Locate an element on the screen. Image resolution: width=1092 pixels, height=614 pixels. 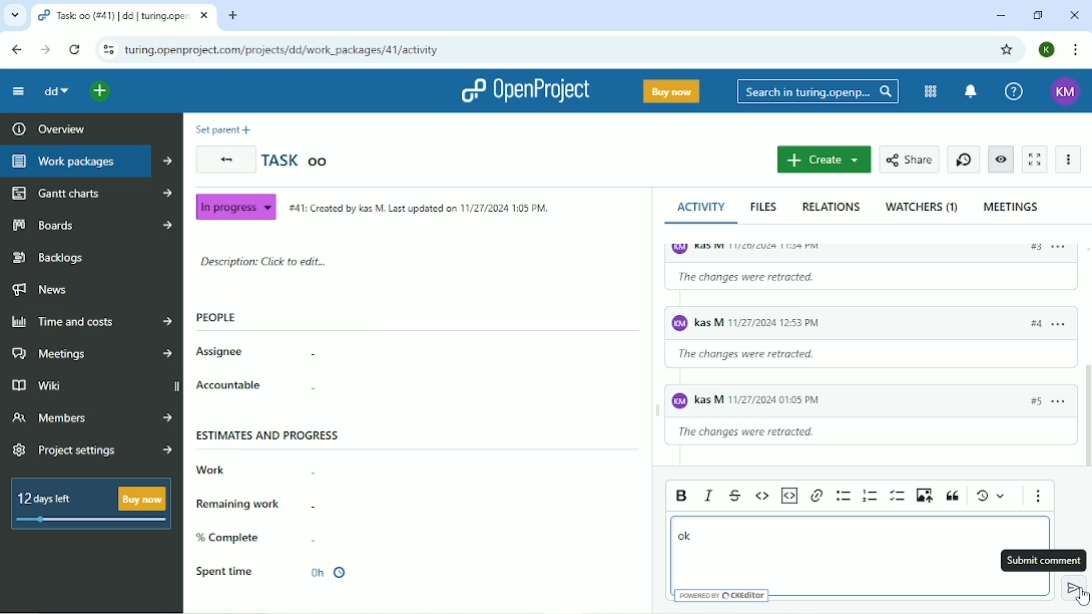
turing.openproject.com/projects/dd/work_packages/41/activity is located at coordinates (281, 51).